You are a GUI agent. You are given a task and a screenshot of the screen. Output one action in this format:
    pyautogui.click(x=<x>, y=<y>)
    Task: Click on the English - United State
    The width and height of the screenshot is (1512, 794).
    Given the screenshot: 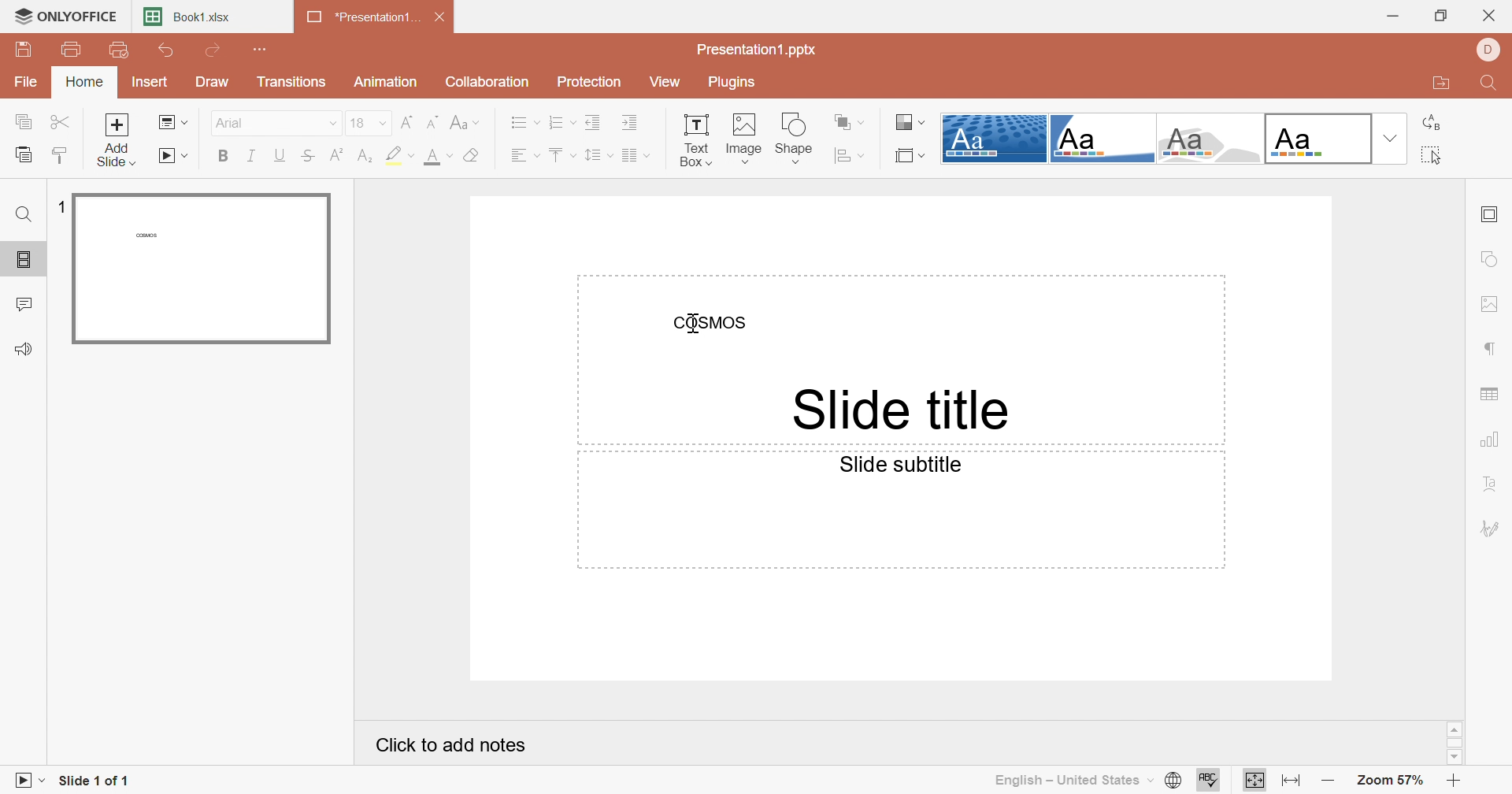 What is the action you would take?
    pyautogui.click(x=1071, y=779)
    